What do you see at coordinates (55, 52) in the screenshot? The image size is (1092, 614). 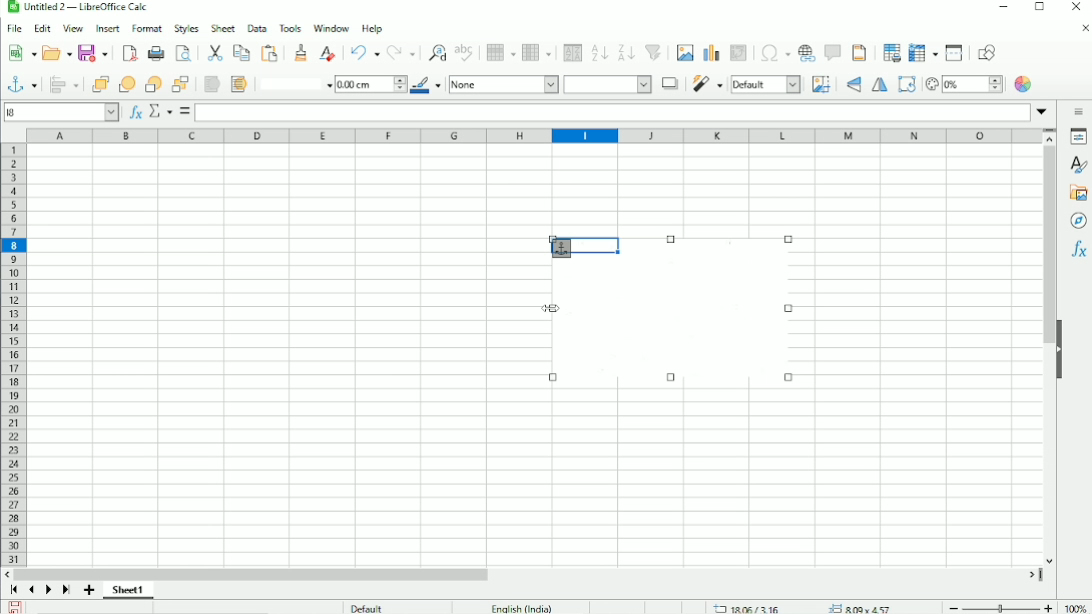 I see `Open` at bounding box center [55, 52].